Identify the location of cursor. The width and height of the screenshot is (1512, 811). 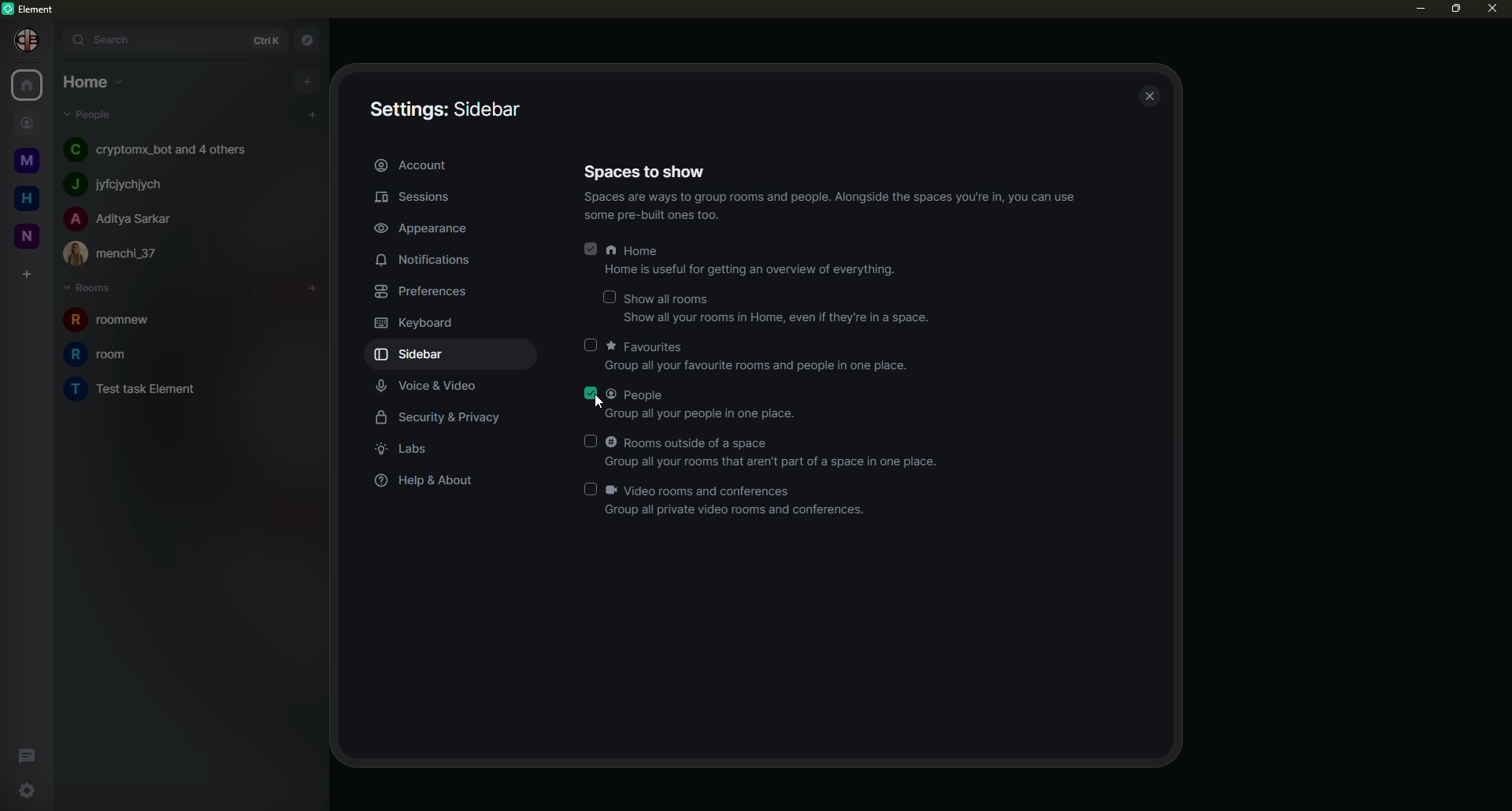
(602, 405).